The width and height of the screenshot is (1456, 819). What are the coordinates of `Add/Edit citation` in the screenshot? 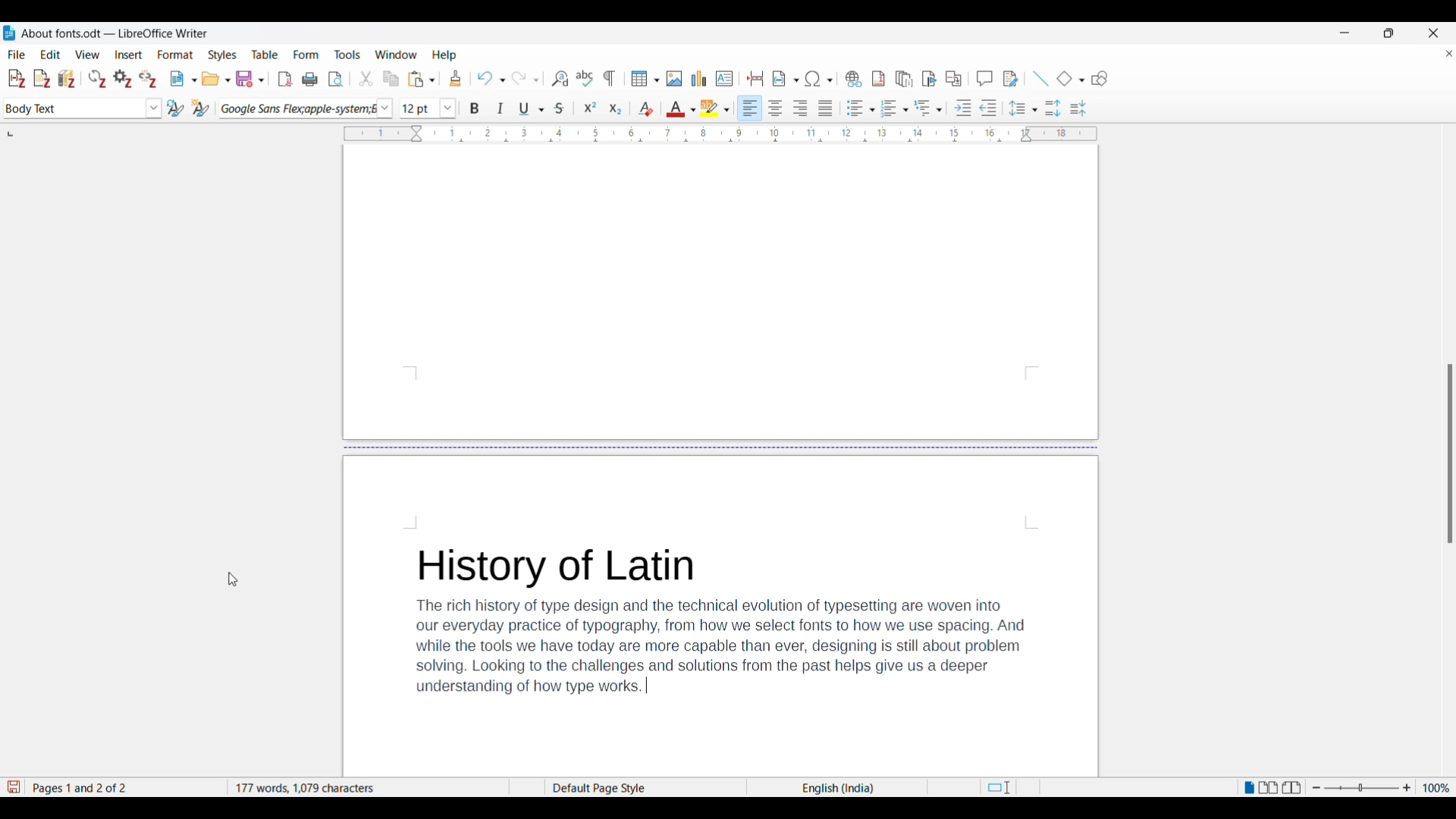 It's located at (16, 79).